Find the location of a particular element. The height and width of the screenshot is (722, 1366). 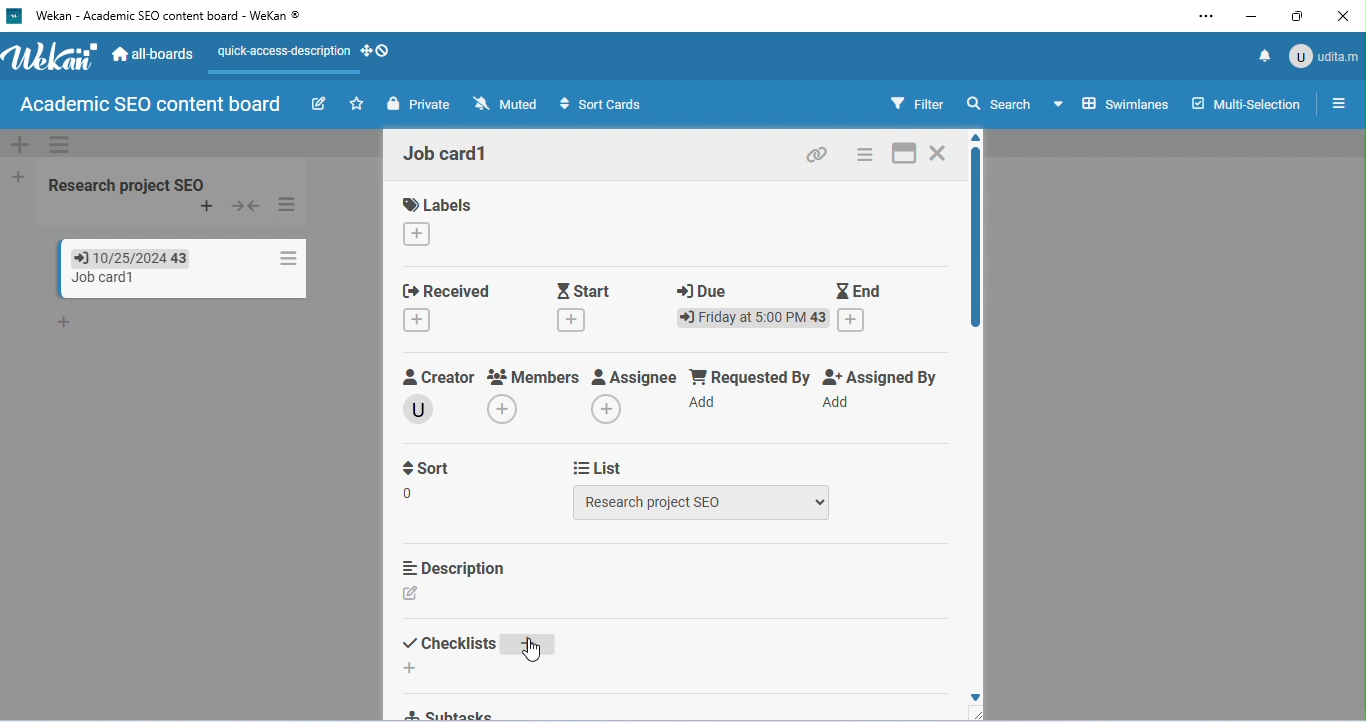

add assignee name is located at coordinates (608, 409).